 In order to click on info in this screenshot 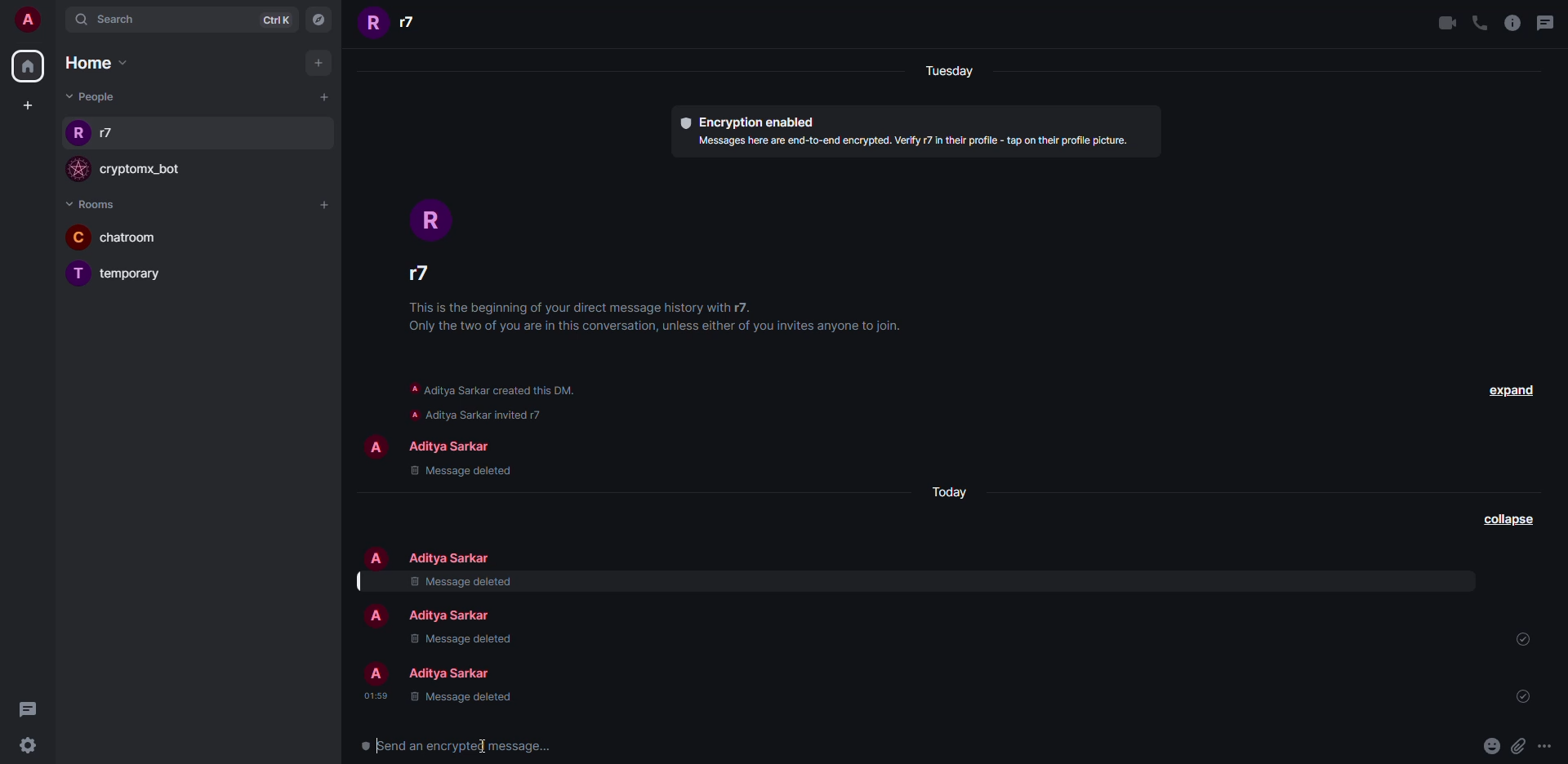, I will do `click(504, 399)`.